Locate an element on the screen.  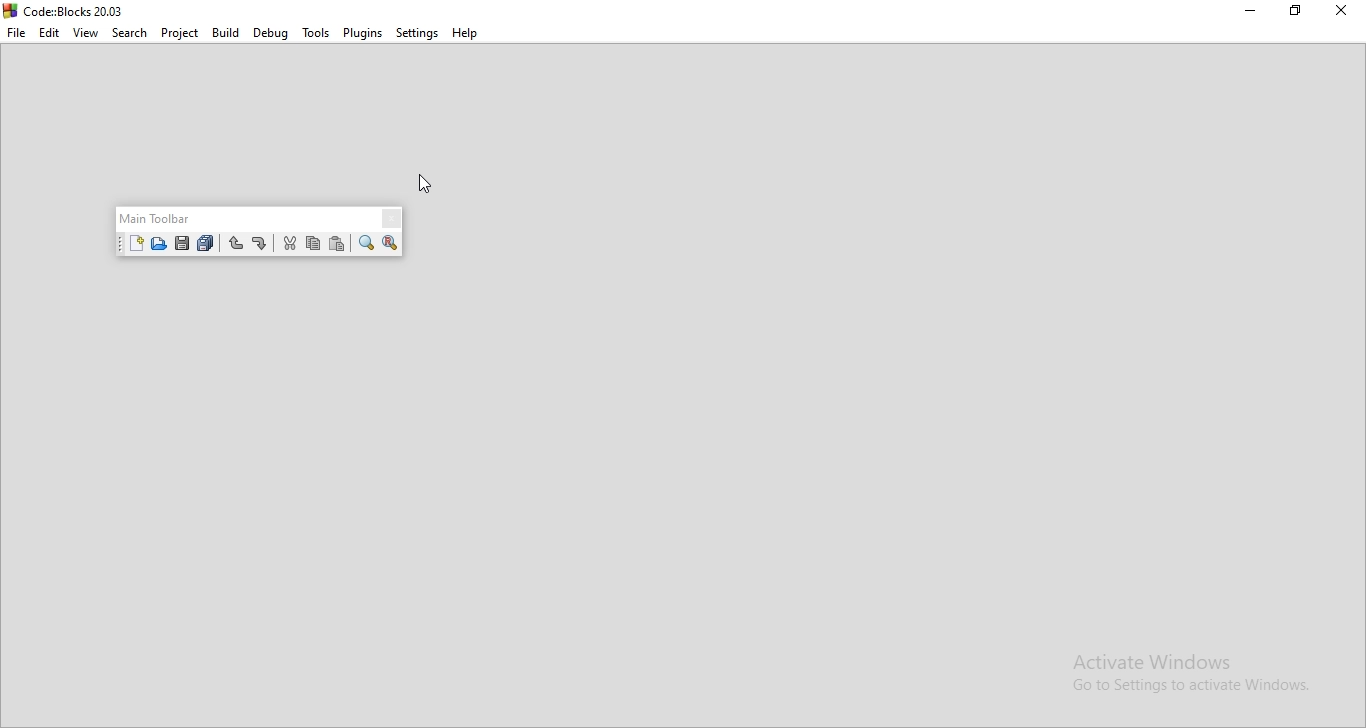
Debug  is located at coordinates (271, 32).